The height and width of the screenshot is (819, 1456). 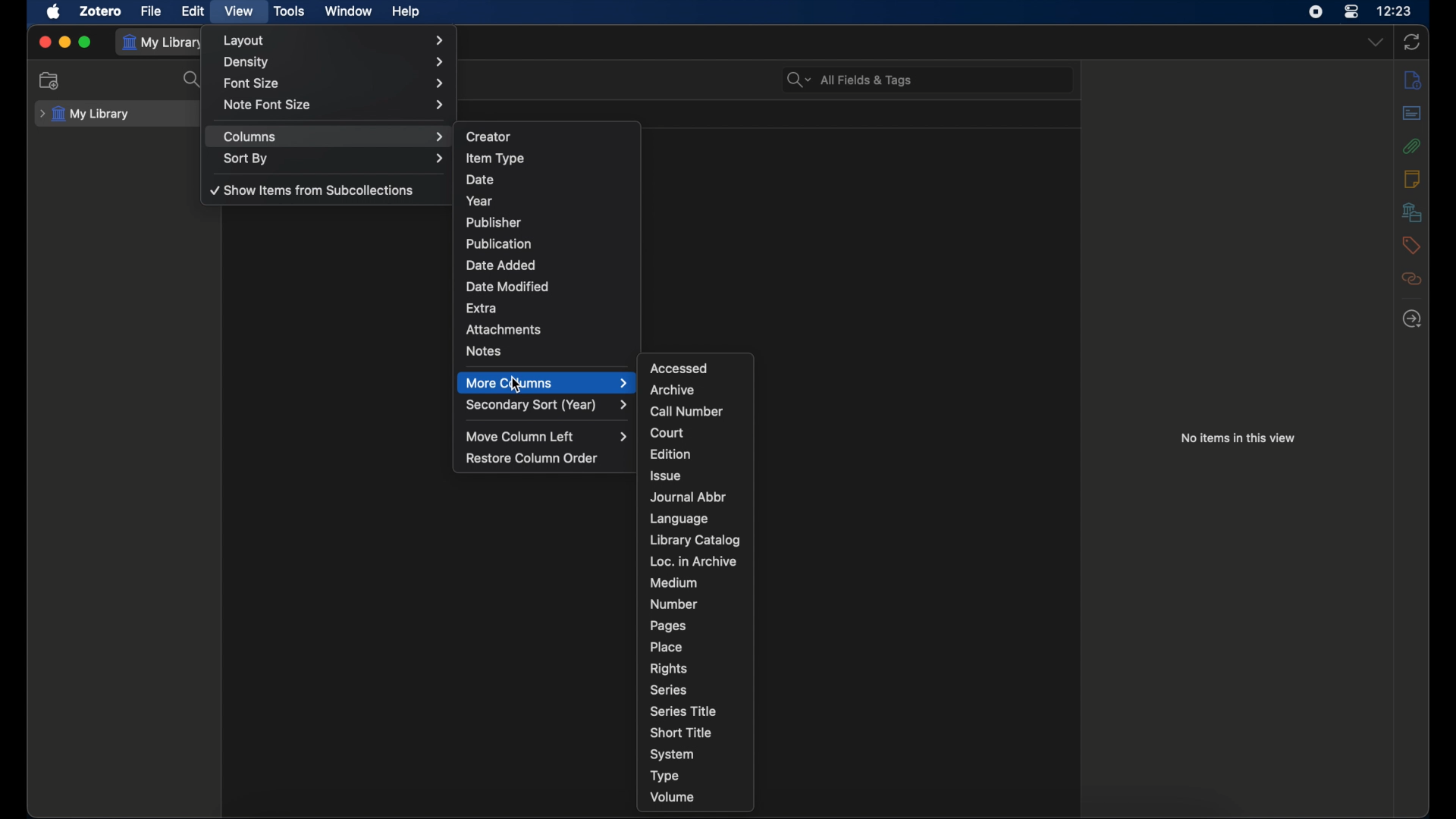 What do you see at coordinates (501, 264) in the screenshot?
I see `date added` at bounding box center [501, 264].